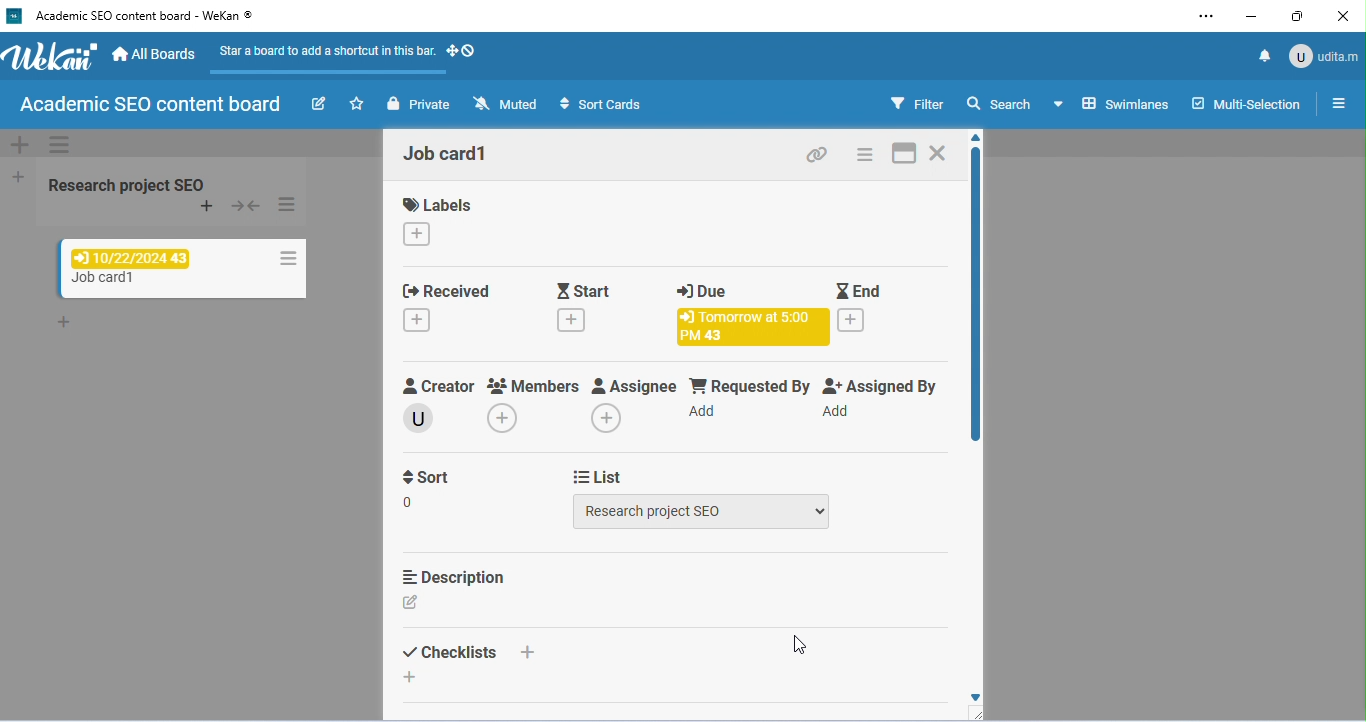 The height and width of the screenshot is (722, 1366). I want to click on filter, so click(916, 104).